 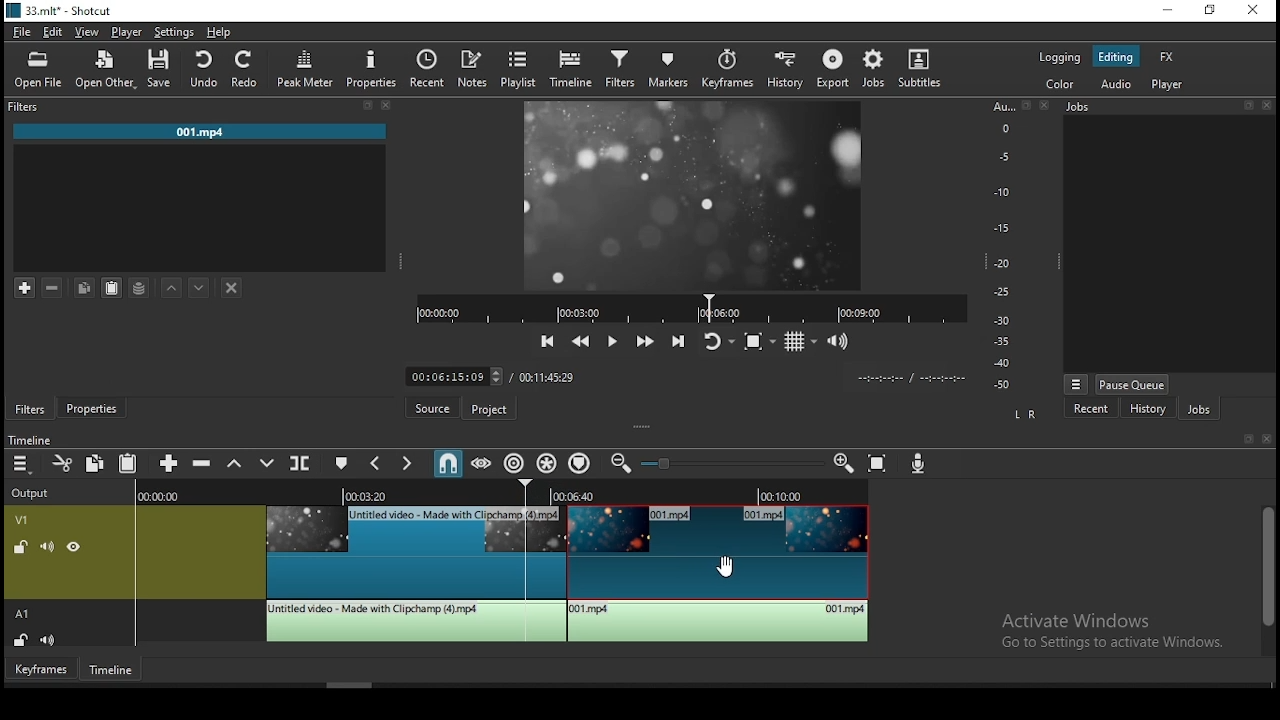 I want to click on video track, so click(x=21, y=520).